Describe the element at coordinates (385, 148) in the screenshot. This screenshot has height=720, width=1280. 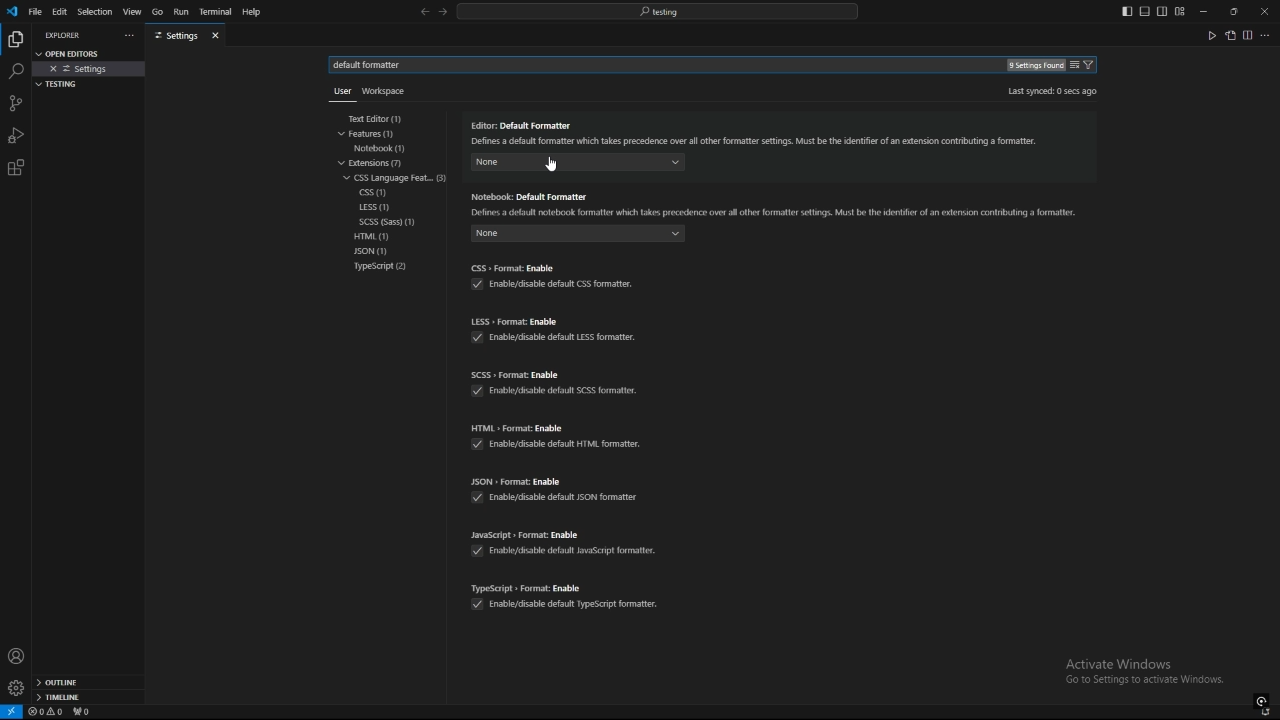
I see `notebook` at that location.